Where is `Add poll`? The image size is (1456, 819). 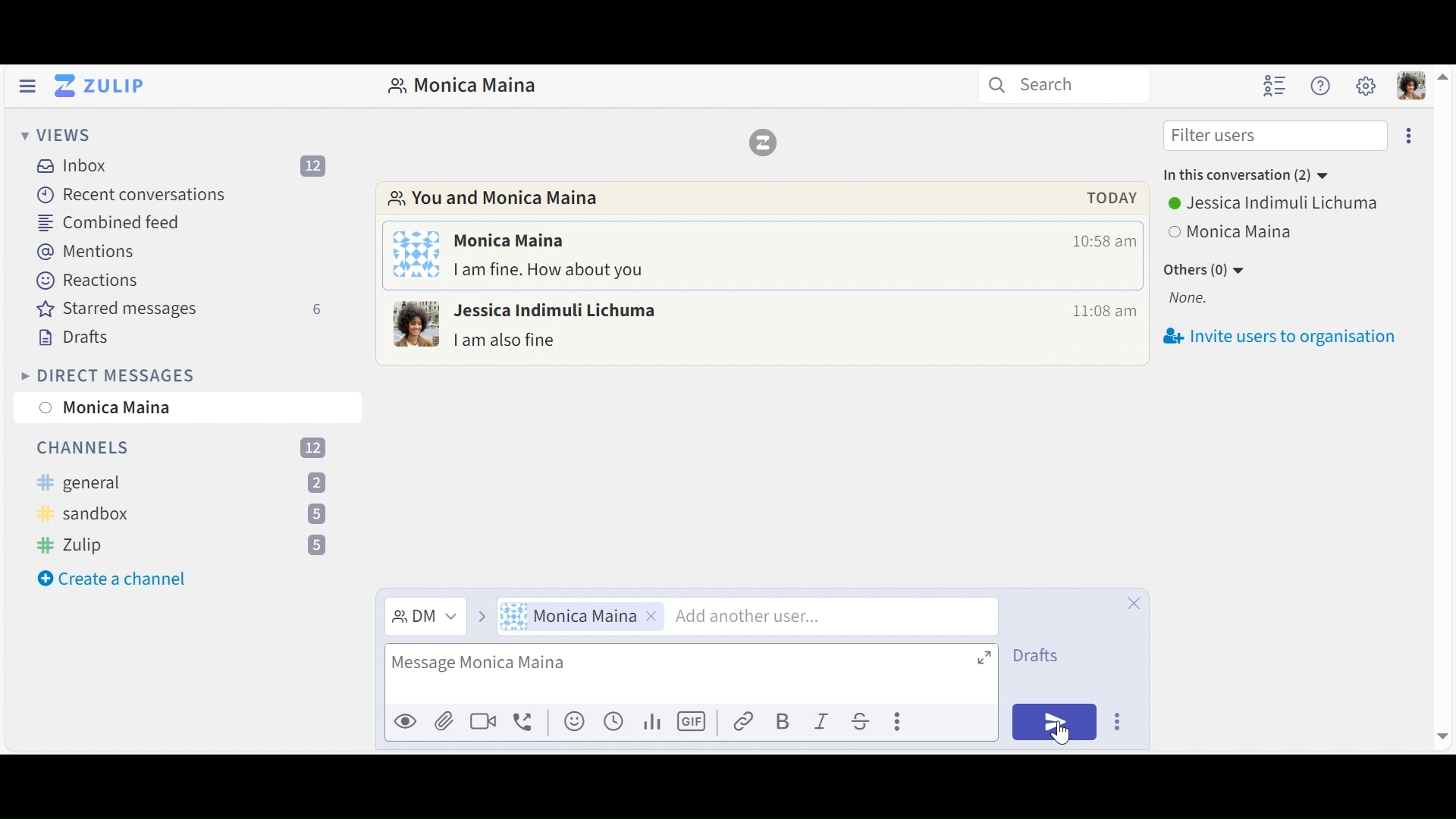
Add poll is located at coordinates (654, 723).